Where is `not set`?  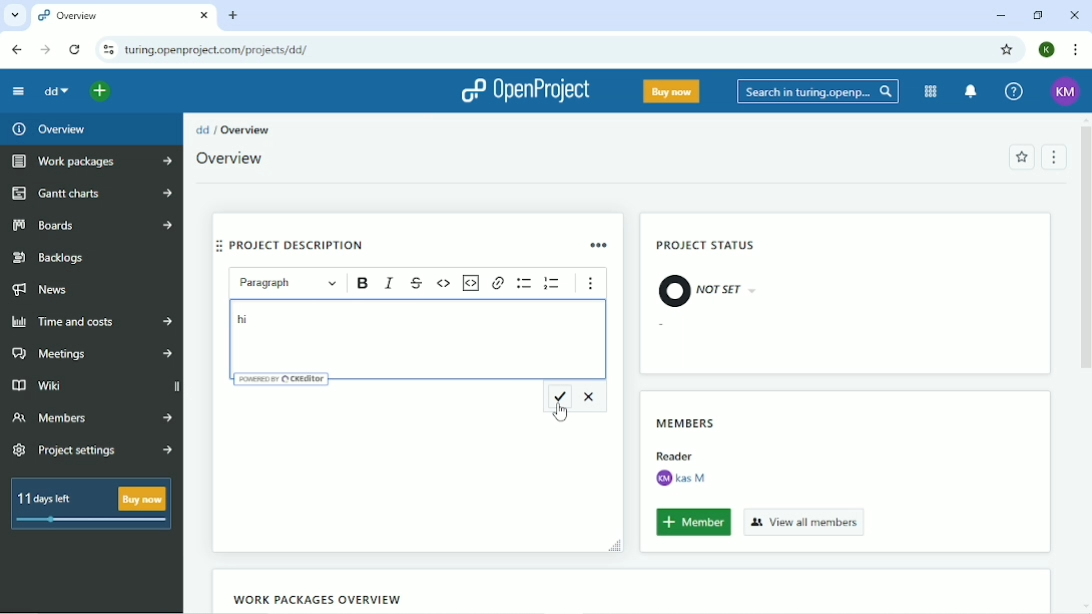 not set is located at coordinates (707, 289).